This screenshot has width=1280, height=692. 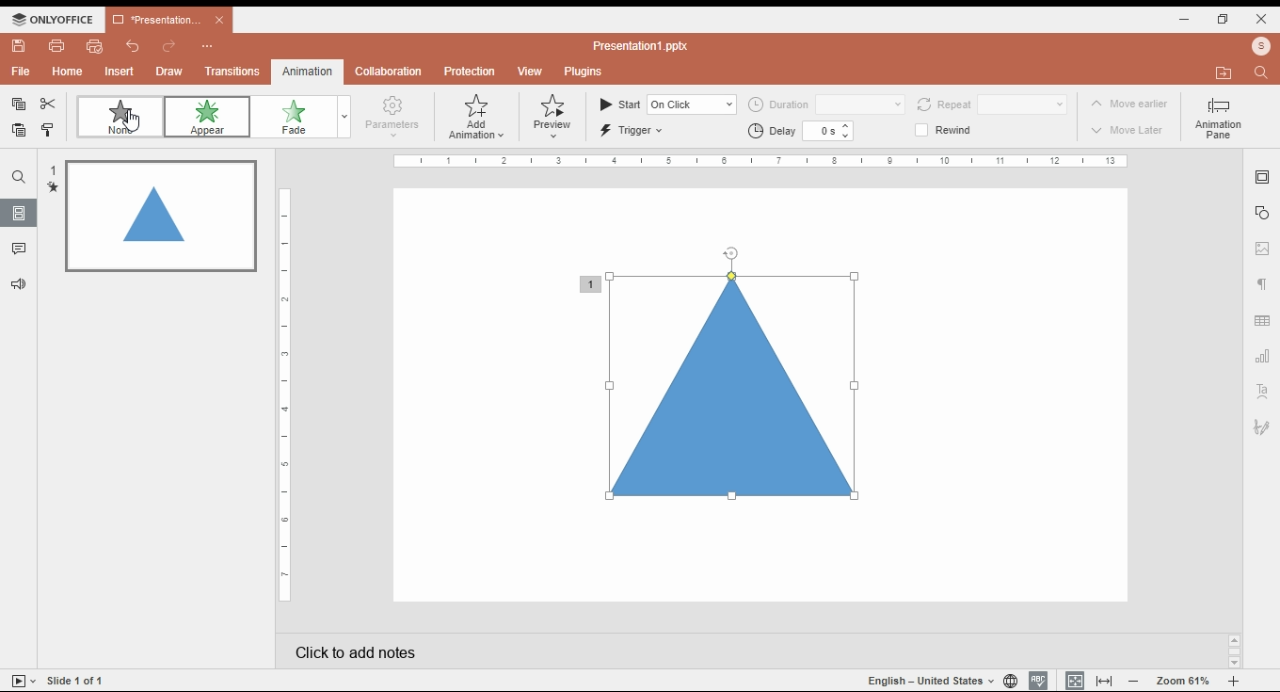 I want to click on delay, so click(x=802, y=131).